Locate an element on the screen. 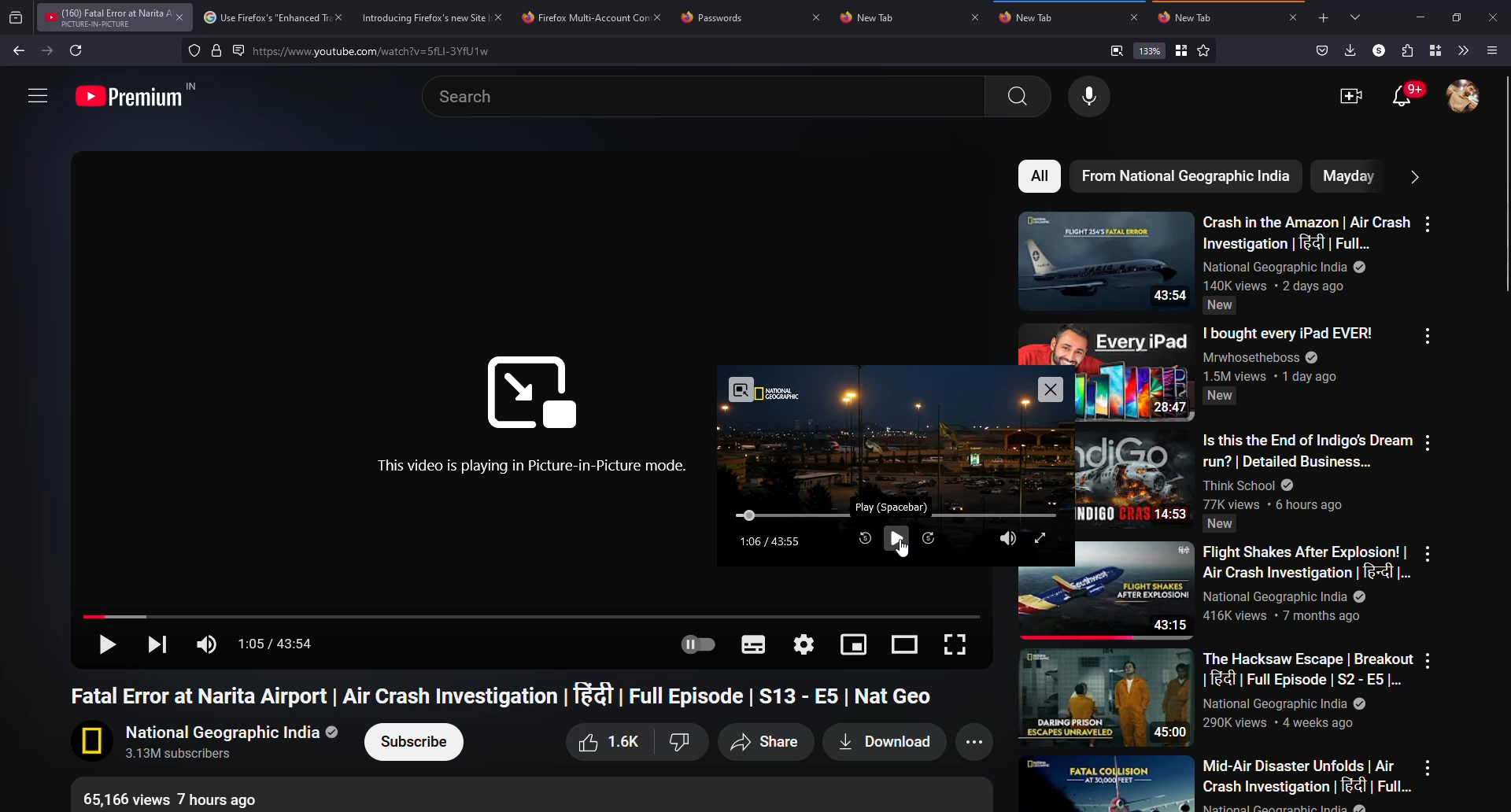 The height and width of the screenshot is (812, 1511). Vertical slide bar is located at coordinates (1506, 183).